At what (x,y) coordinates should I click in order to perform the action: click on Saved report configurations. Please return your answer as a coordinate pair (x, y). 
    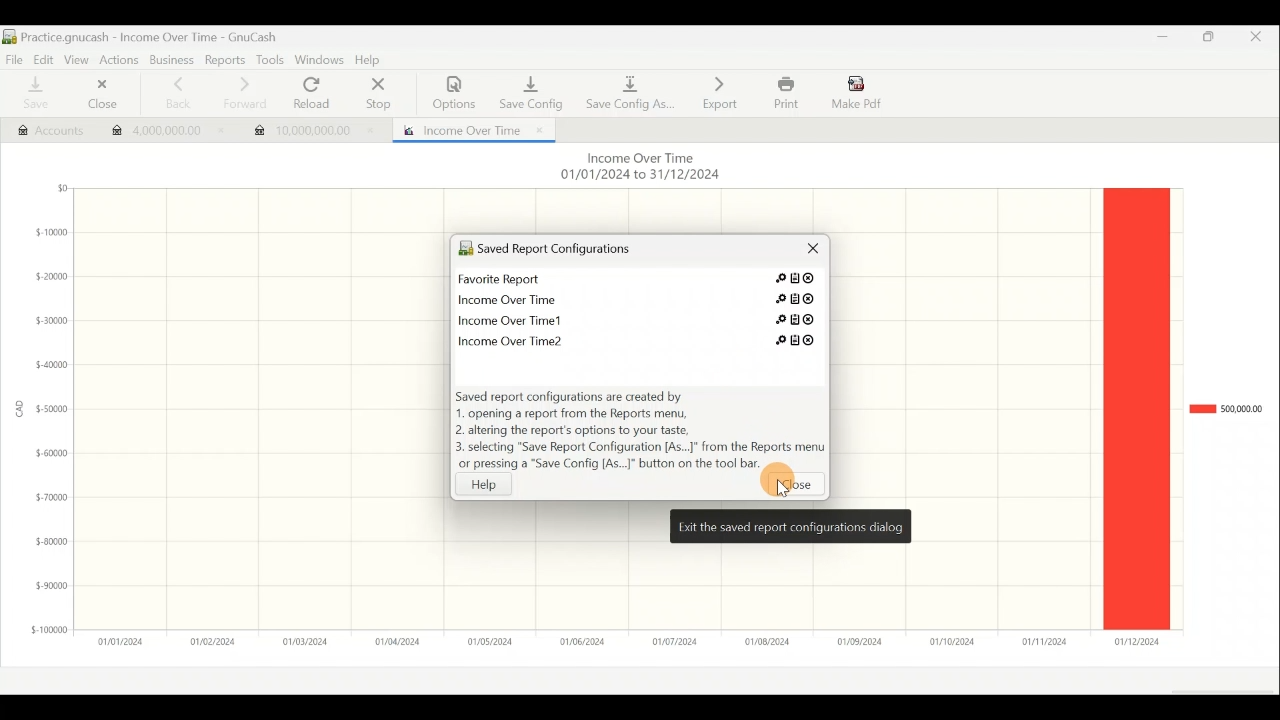
    Looking at the image, I should click on (605, 251).